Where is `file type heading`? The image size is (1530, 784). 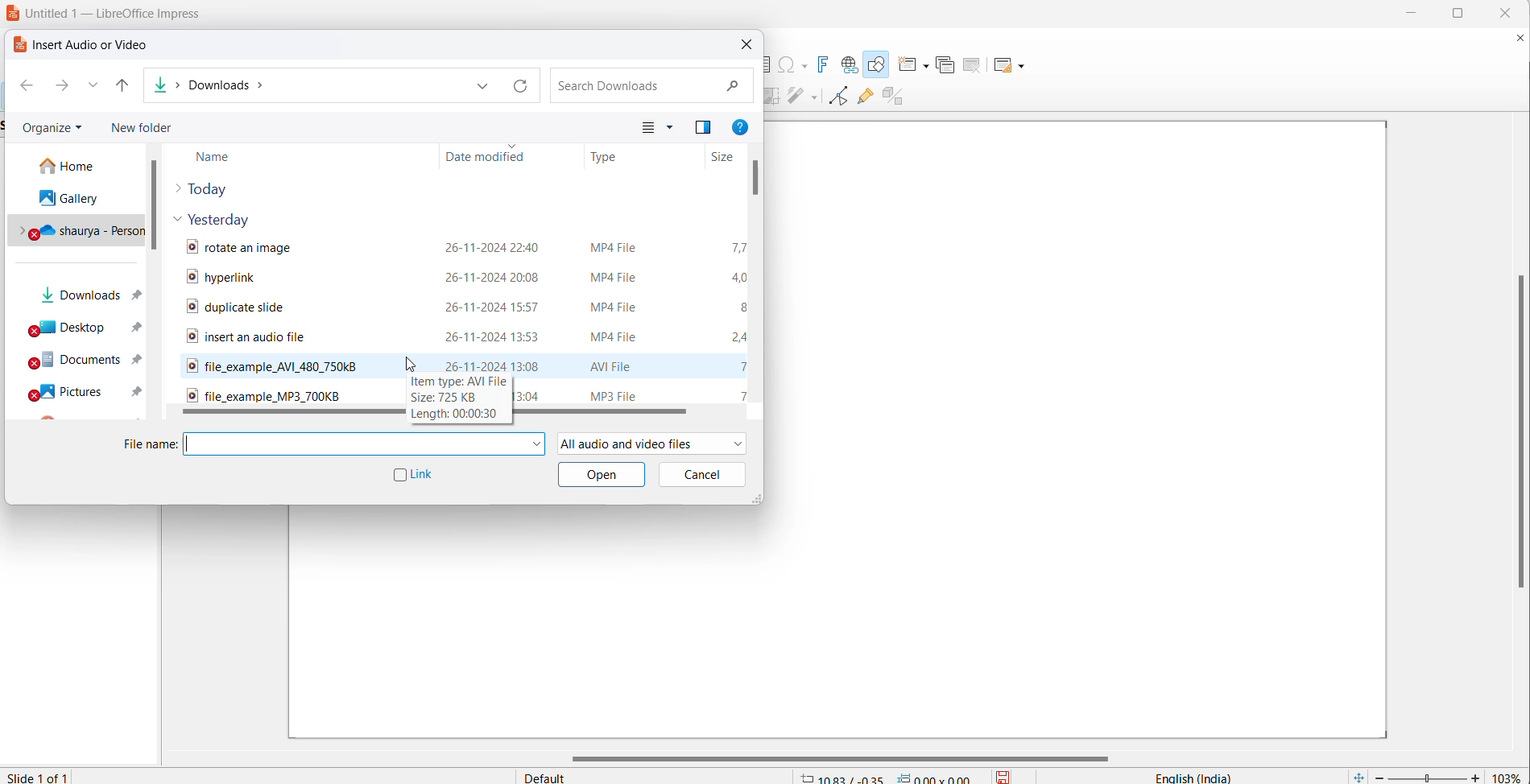
file type heading is located at coordinates (616, 154).